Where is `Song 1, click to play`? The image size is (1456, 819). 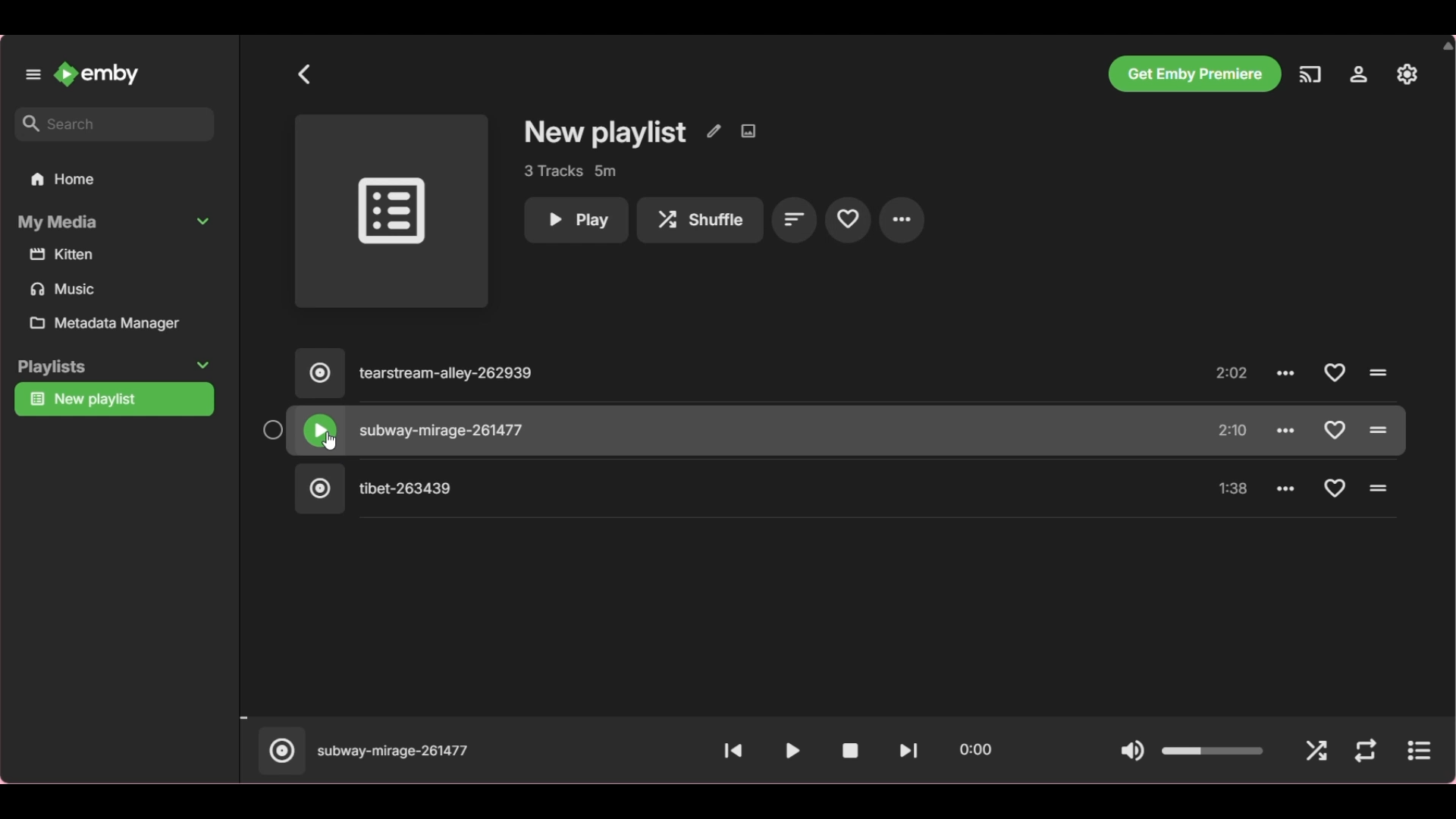
Song 1, click to play is located at coordinates (721, 375).